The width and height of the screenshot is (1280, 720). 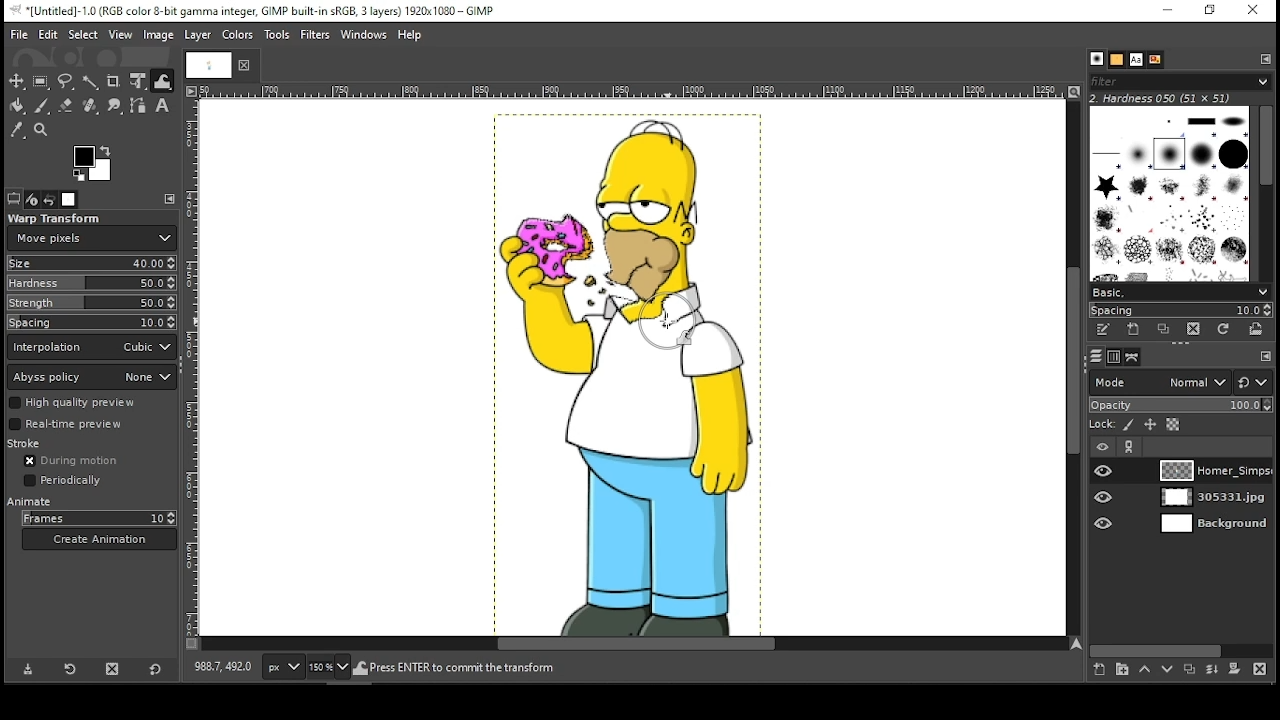 What do you see at coordinates (1269, 59) in the screenshot?
I see `edit toolbar` at bounding box center [1269, 59].